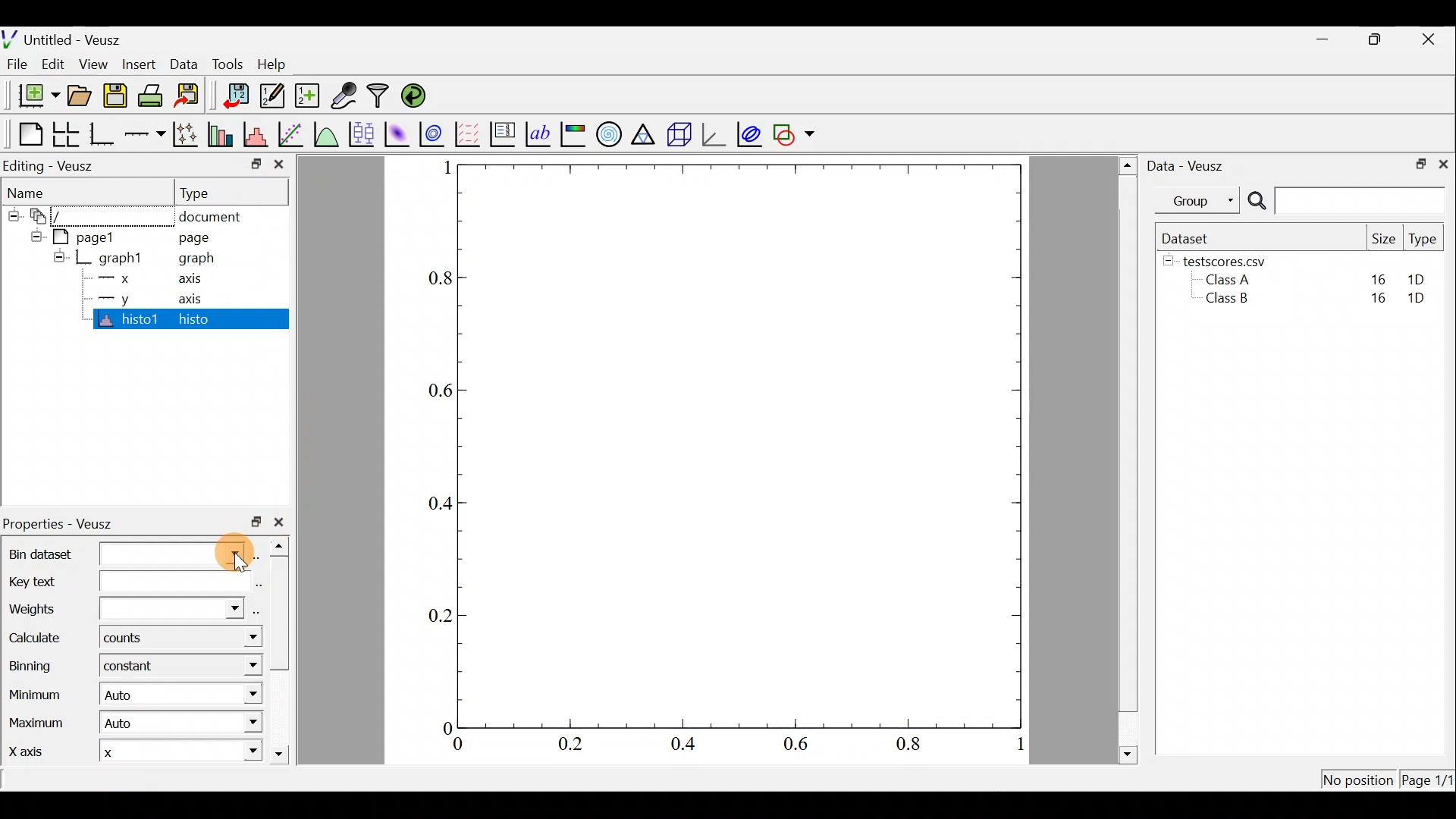  What do you see at coordinates (1323, 39) in the screenshot?
I see `Minimize` at bounding box center [1323, 39].